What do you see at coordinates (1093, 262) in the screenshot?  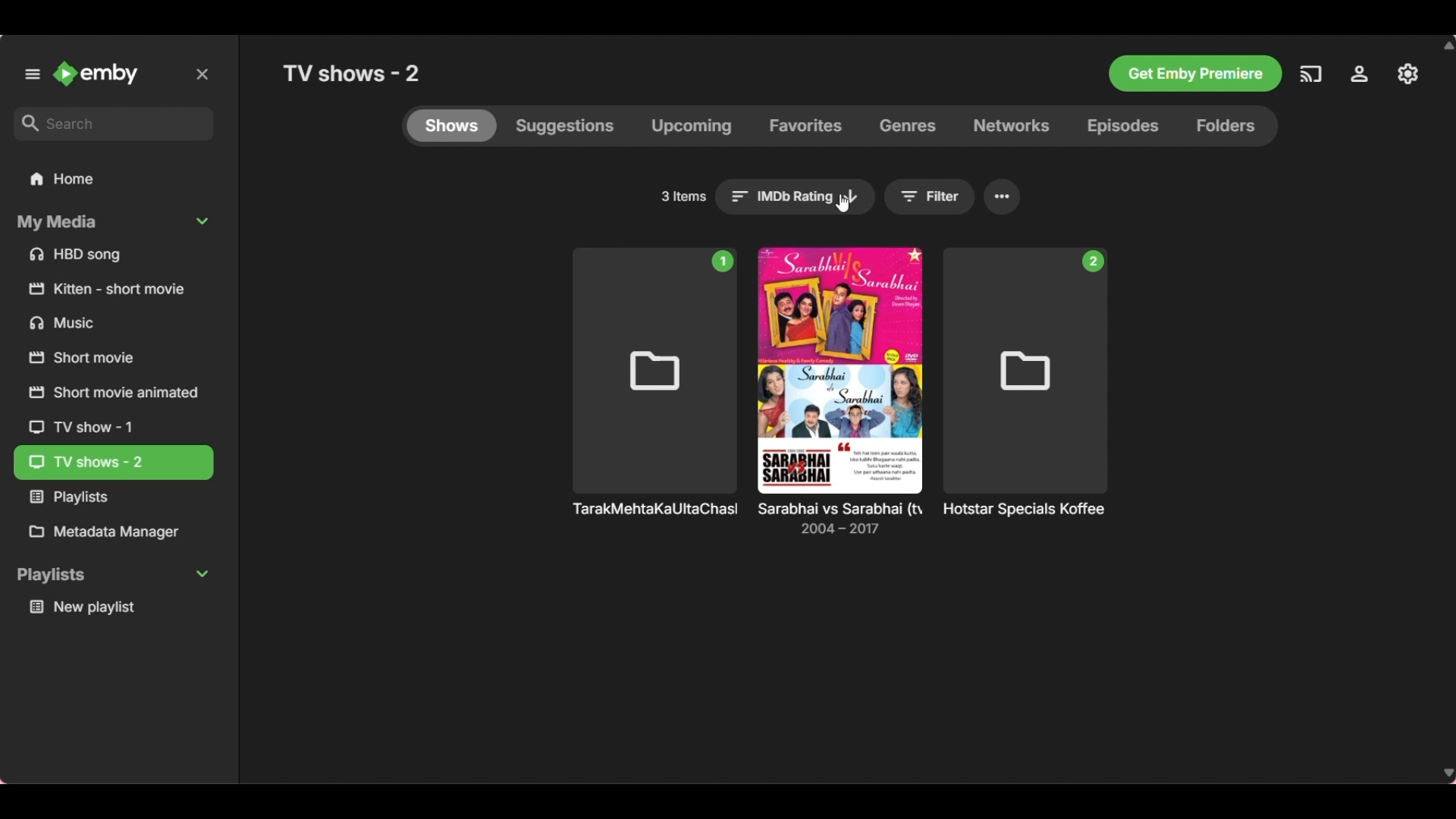 I see `Number of files in folder` at bounding box center [1093, 262].